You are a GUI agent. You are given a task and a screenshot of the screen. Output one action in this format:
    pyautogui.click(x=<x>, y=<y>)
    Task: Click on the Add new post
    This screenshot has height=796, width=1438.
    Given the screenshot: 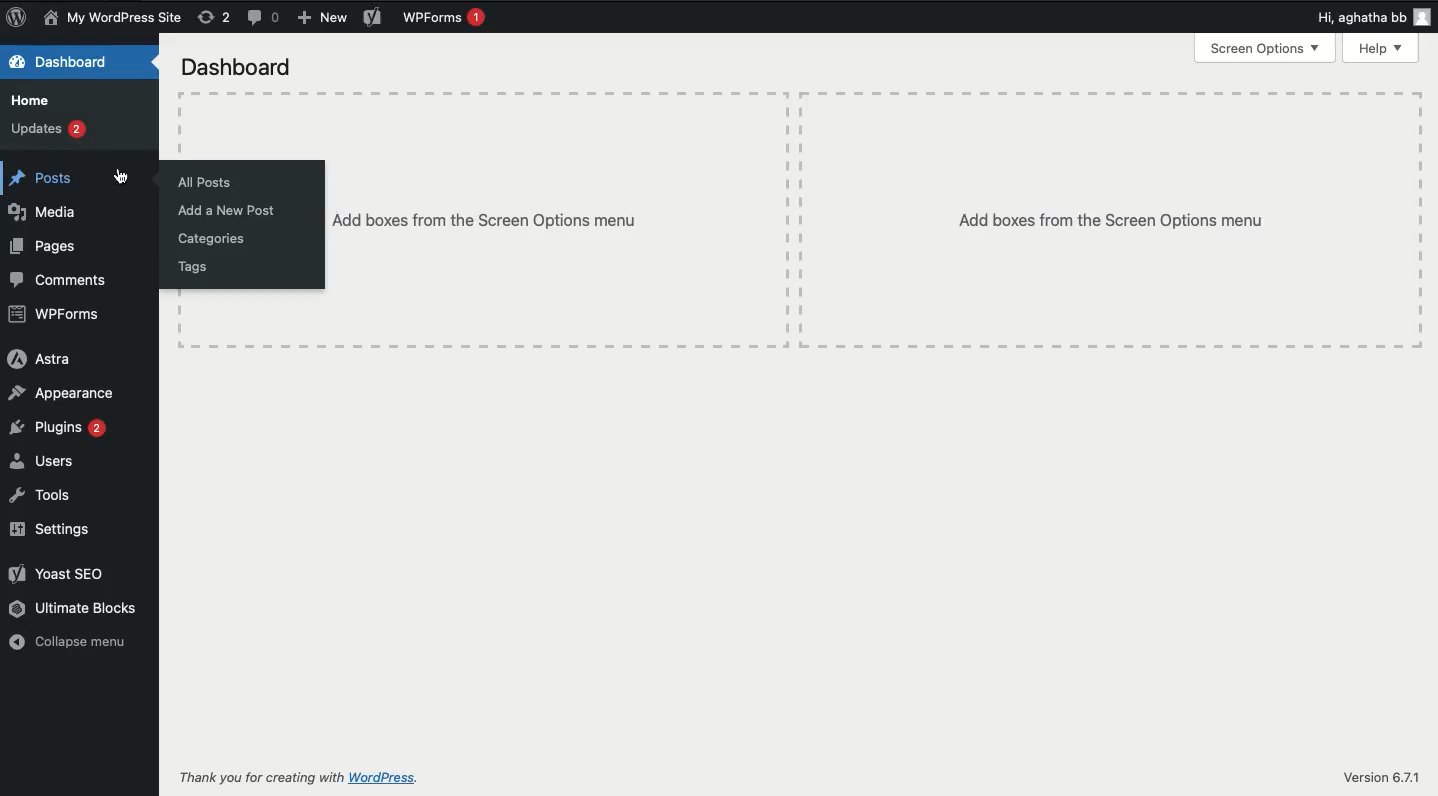 What is the action you would take?
    pyautogui.click(x=230, y=211)
    